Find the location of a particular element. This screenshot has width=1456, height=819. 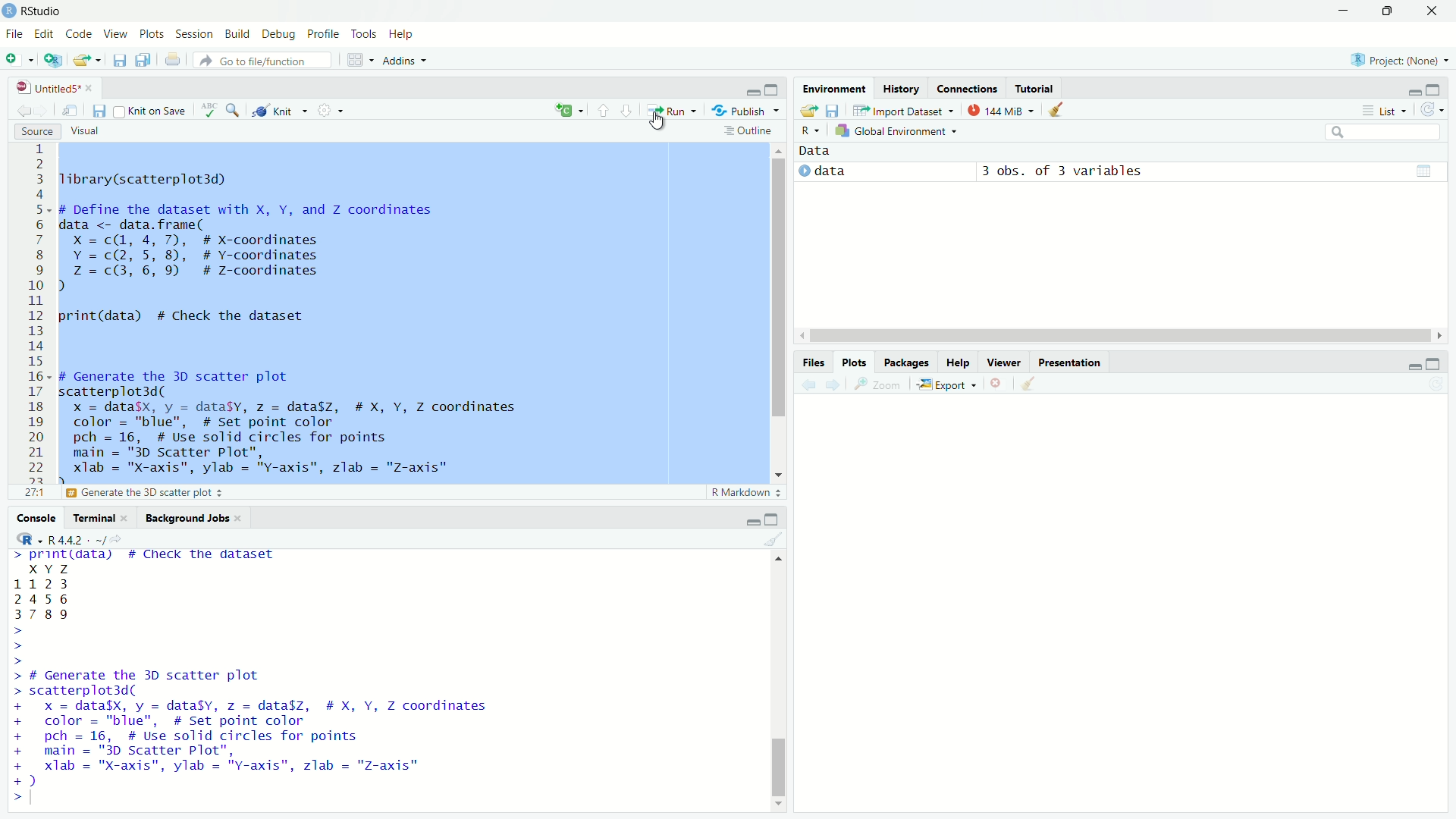

console is located at coordinates (29, 517).